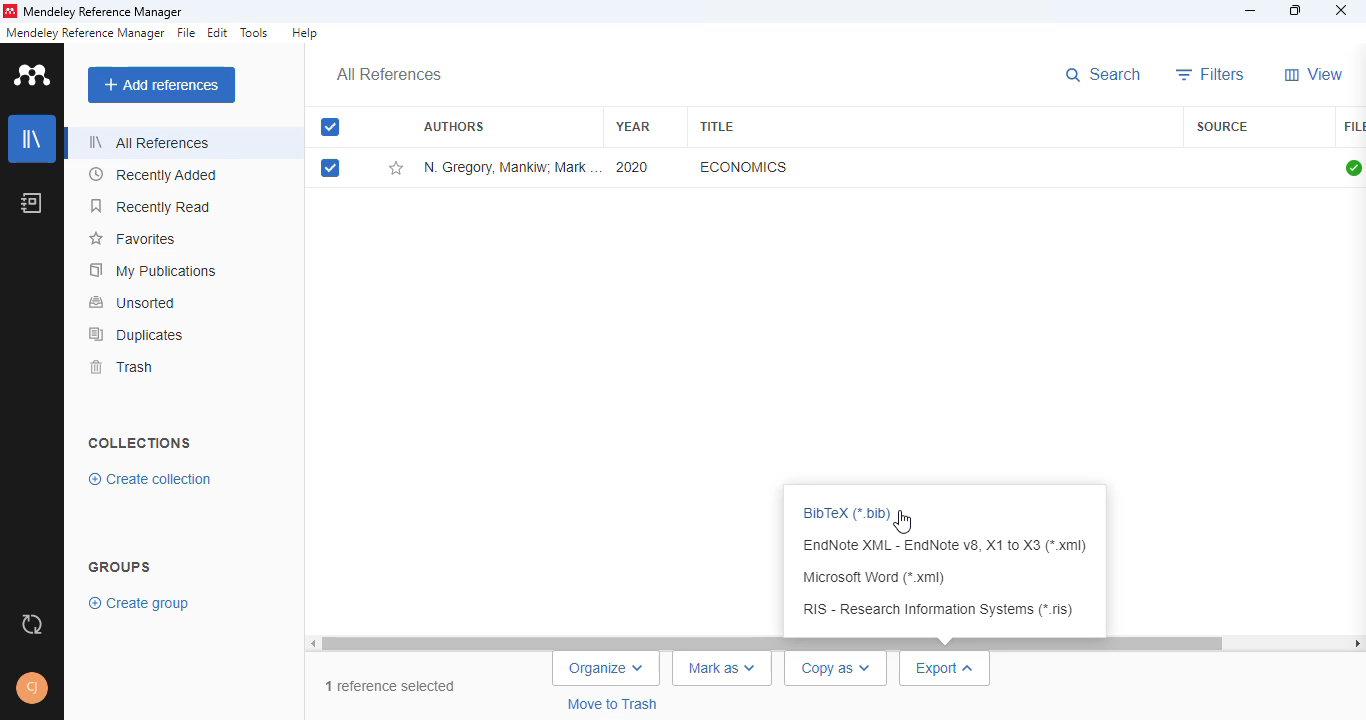  Describe the element at coordinates (835, 643) in the screenshot. I see `scrollbar` at that location.